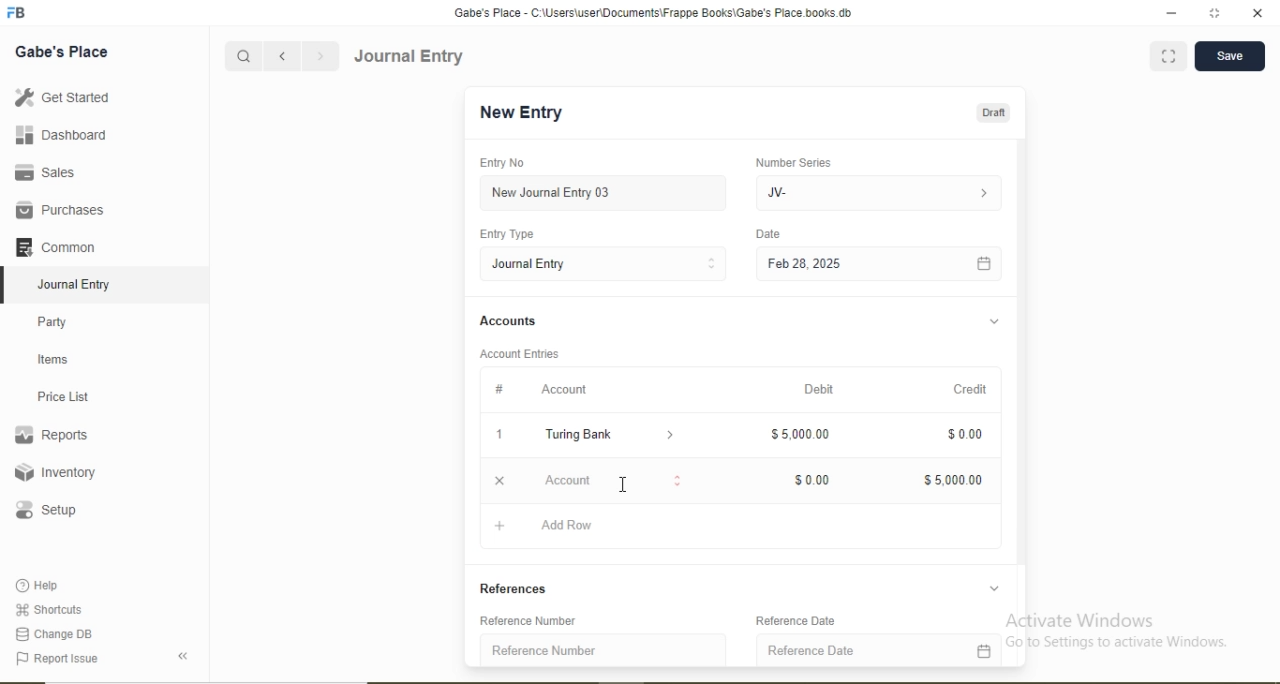  Describe the element at coordinates (45, 510) in the screenshot. I see `Setup` at that location.